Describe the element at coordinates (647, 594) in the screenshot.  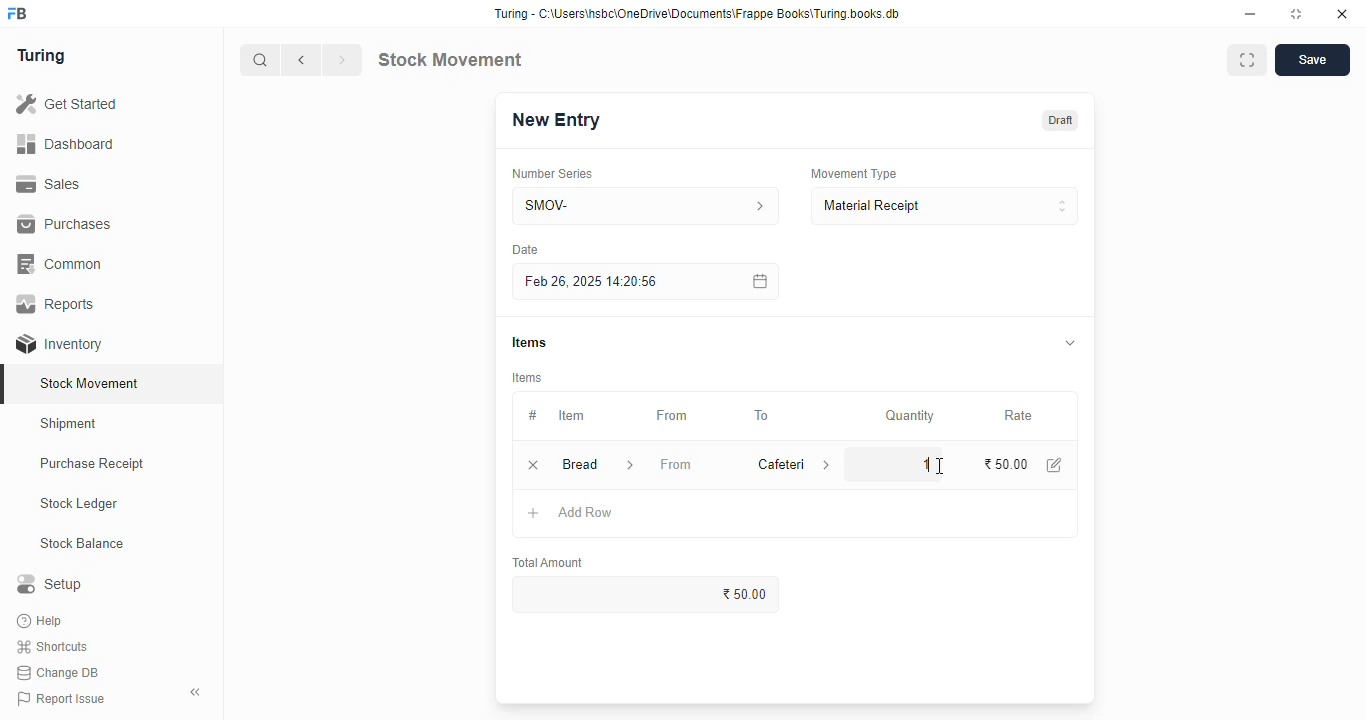
I see `₹50.00` at that location.